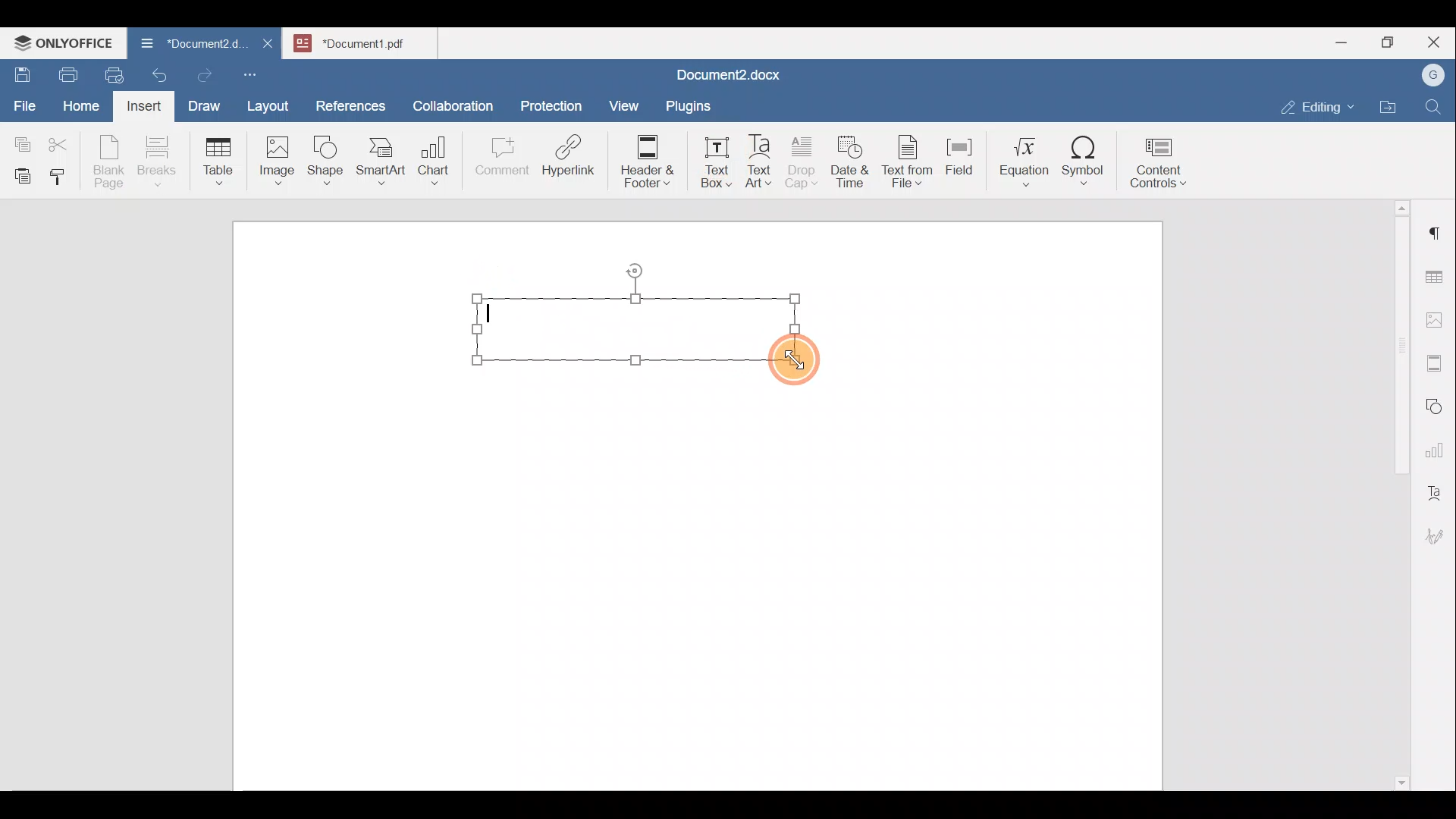 Image resolution: width=1456 pixels, height=819 pixels. I want to click on View, so click(625, 101).